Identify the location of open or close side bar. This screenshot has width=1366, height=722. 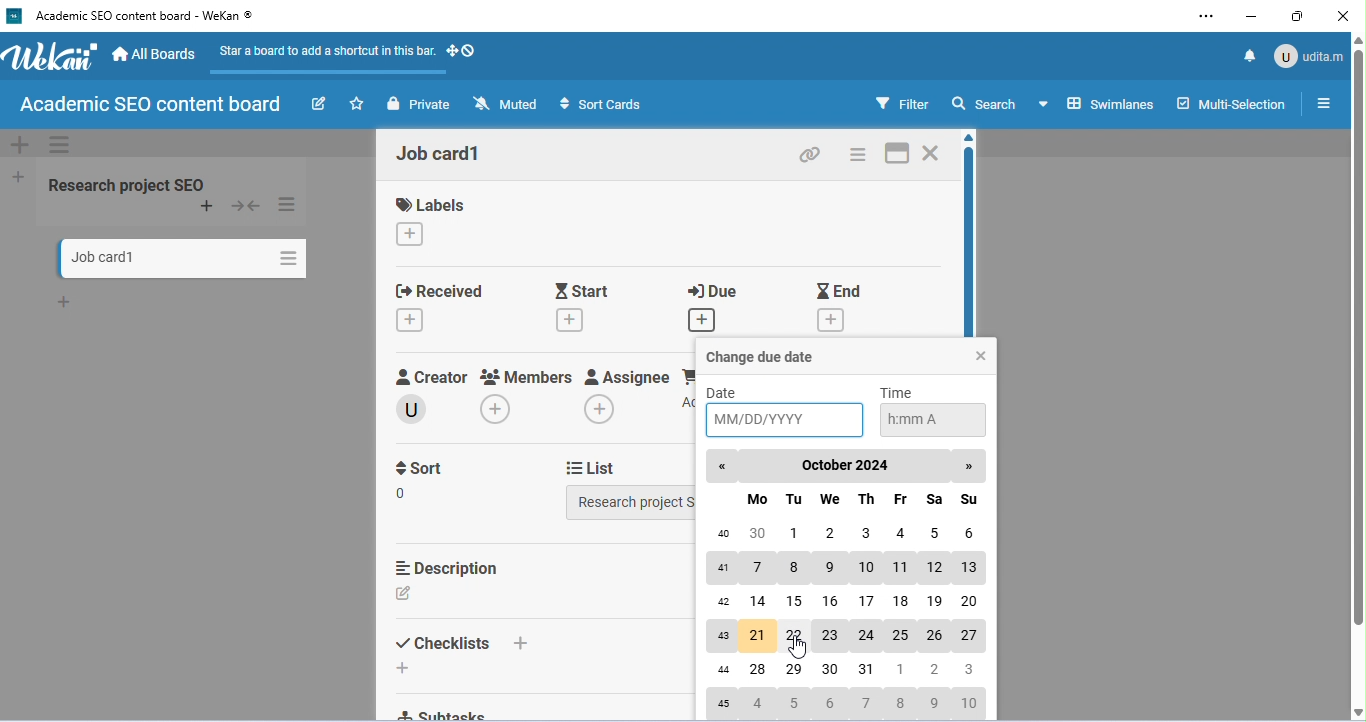
(1323, 102).